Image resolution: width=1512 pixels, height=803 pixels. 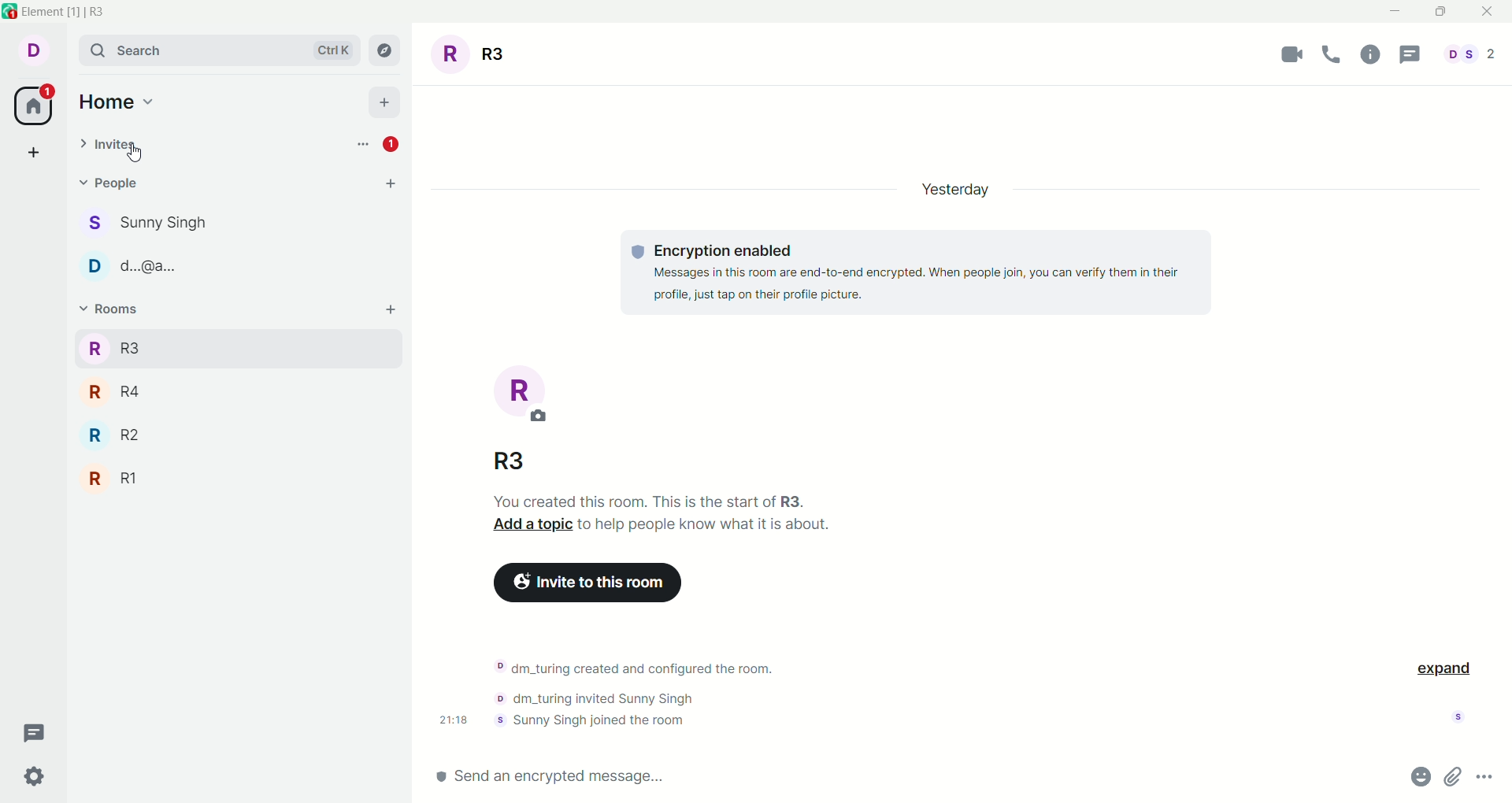 What do you see at coordinates (235, 390) in the screenshot?
I see `R4` at bounding box center [235, 390].